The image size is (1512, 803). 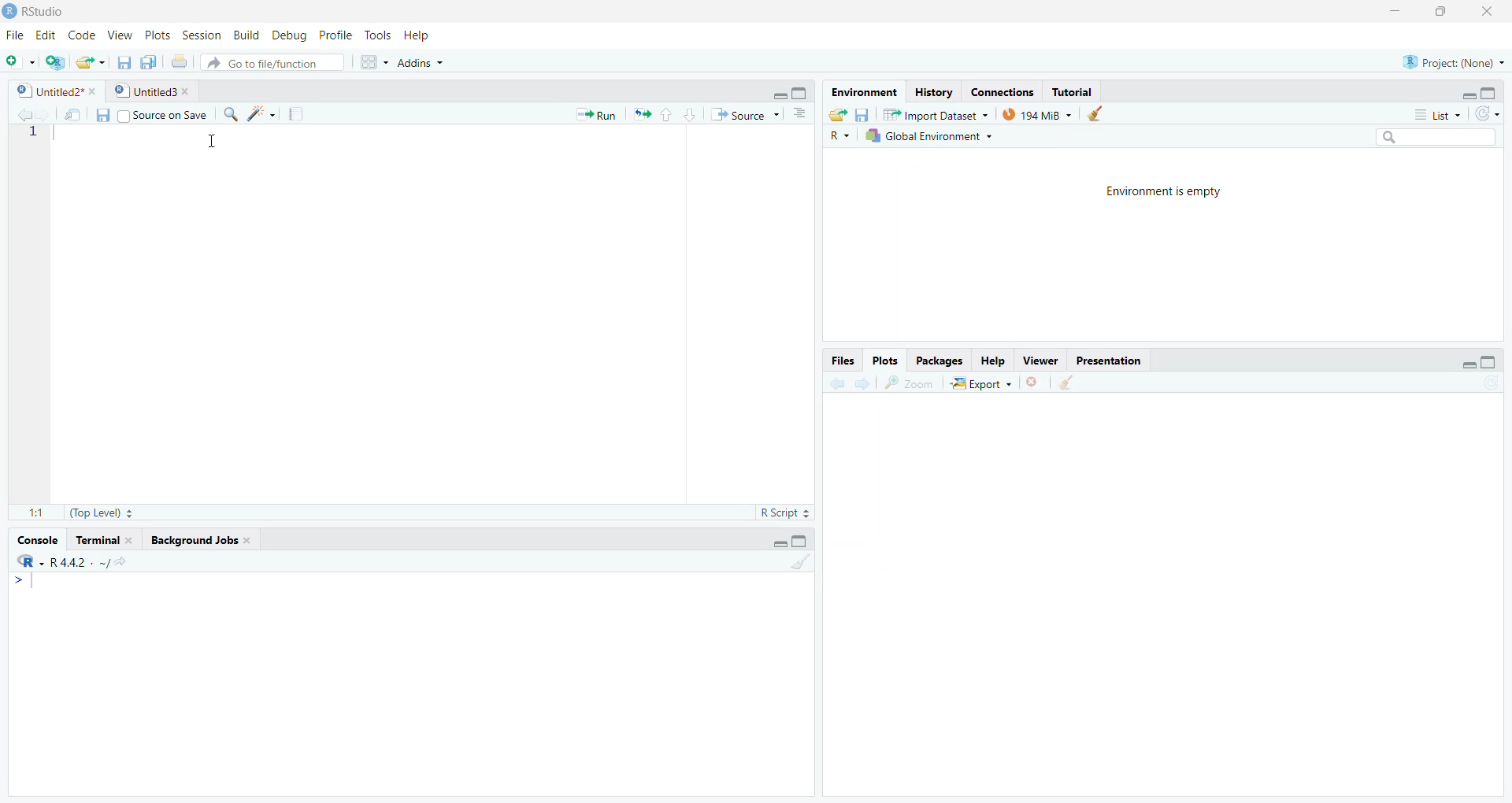 What do you see at coordinates (54, 61) in the screenshot?
I see `create a project` at bounding box center [54, 61].